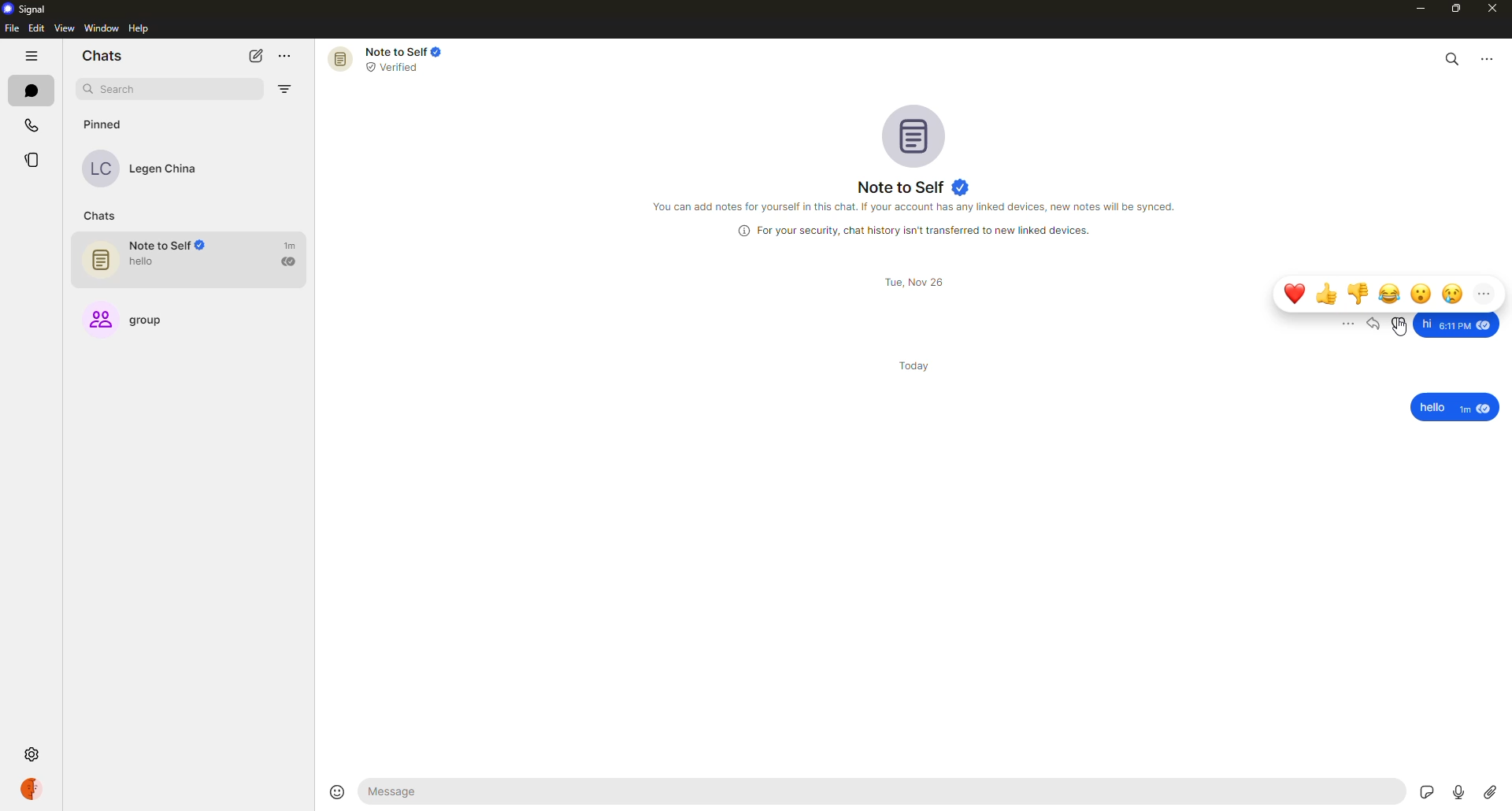 The image size is (1512, 811). I want to click on new chat, so click(255, 56).